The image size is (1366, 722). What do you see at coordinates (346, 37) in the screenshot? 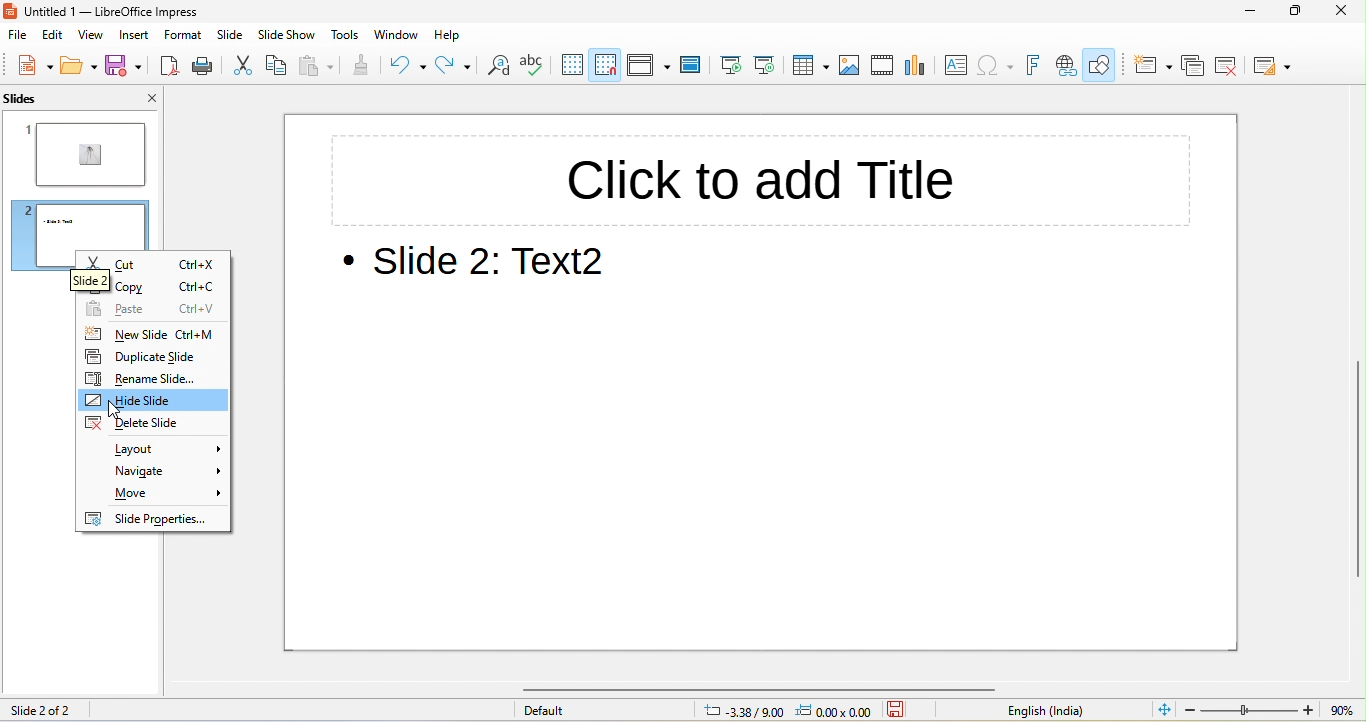
I see `tools` at bounding box center [346, 37].